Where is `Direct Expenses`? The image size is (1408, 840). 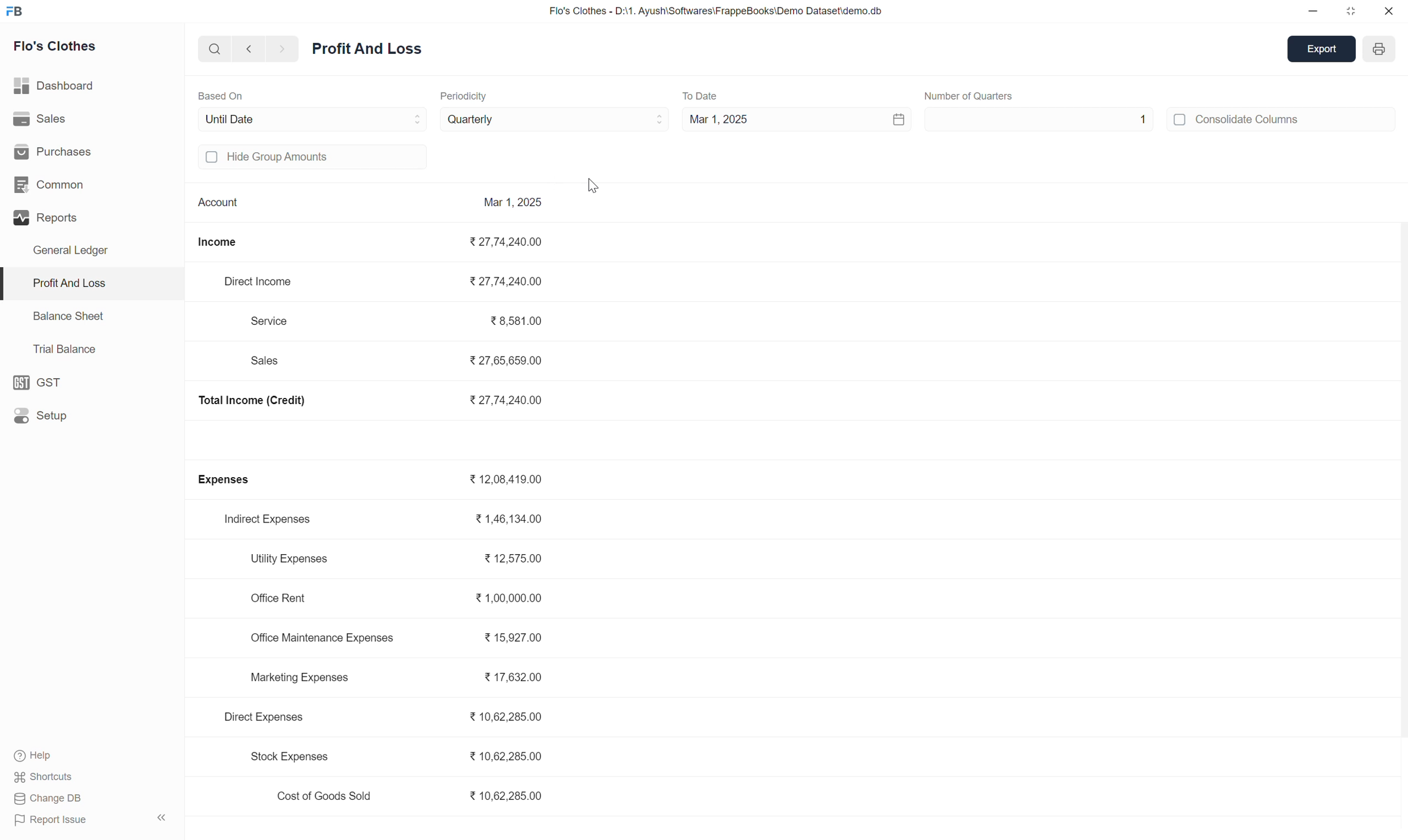 Direct Expenses is located at coordinates (272, 717).